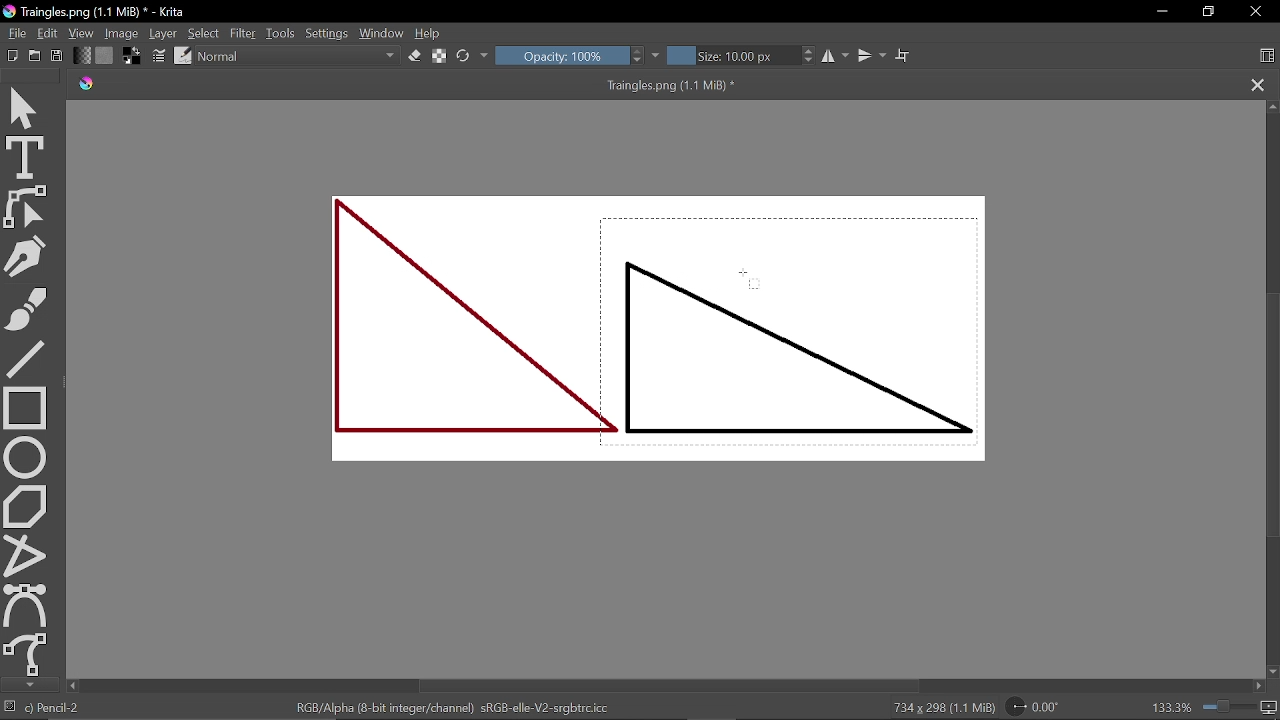 The height and width of the screenshot is (720, 1280). What do you see at coordinates (874, 56) in the screenshot?
I see `Vertical mirror tool` at bounding box center [874, 56].